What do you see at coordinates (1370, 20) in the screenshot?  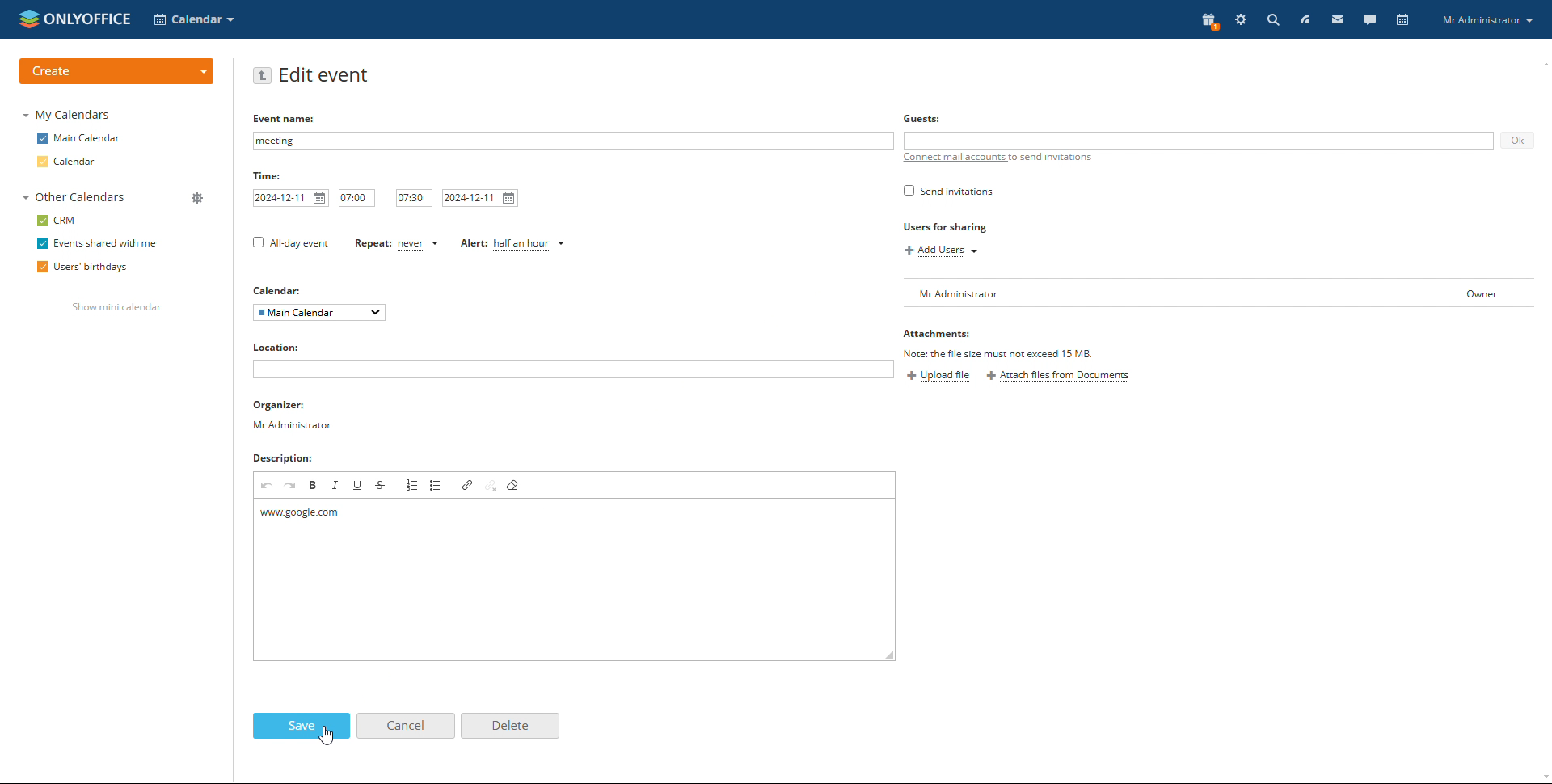 I see `talk` at bounding box center [1370, 20].